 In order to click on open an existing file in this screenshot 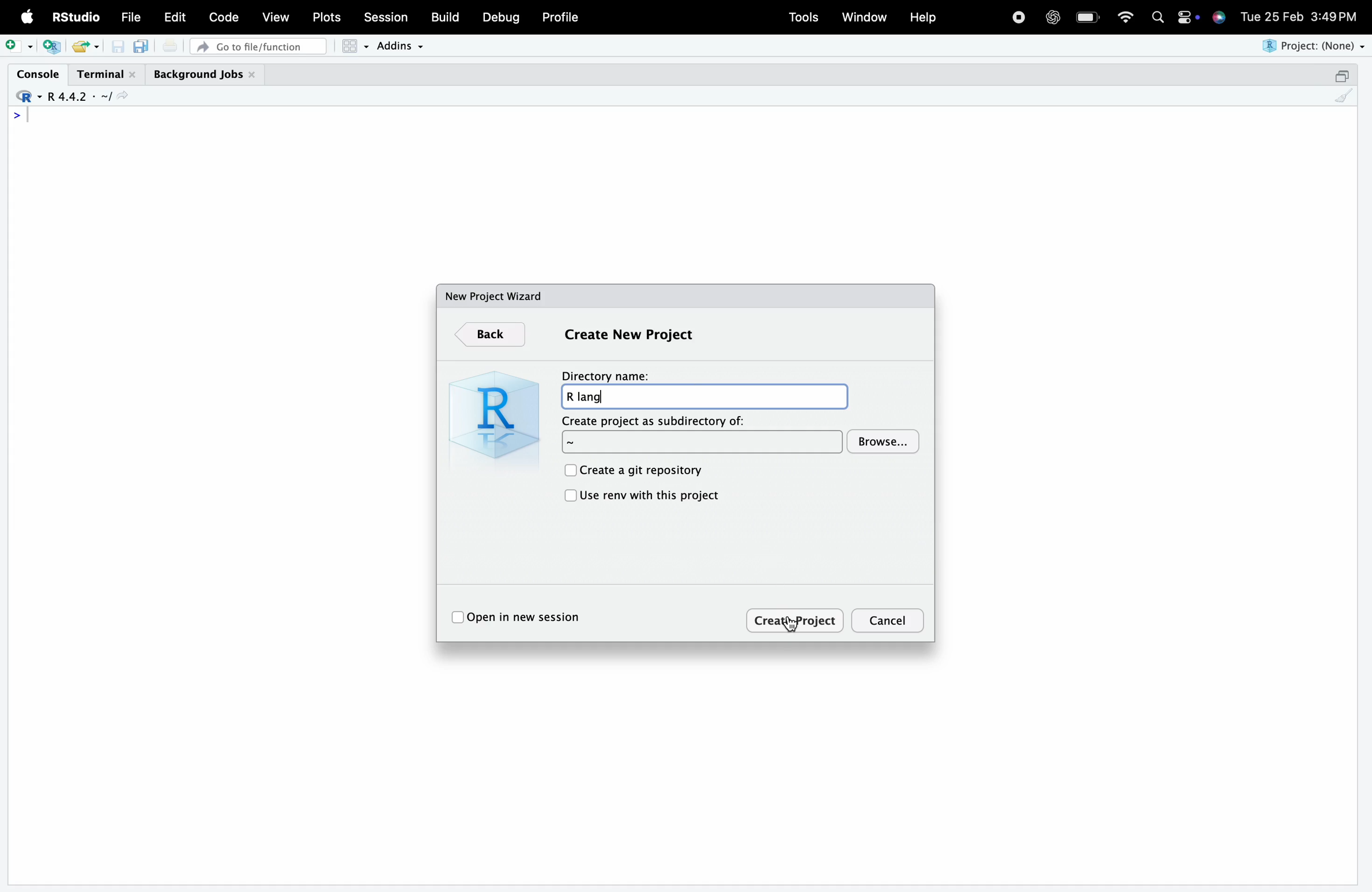, I will do `click(79, 47)`.